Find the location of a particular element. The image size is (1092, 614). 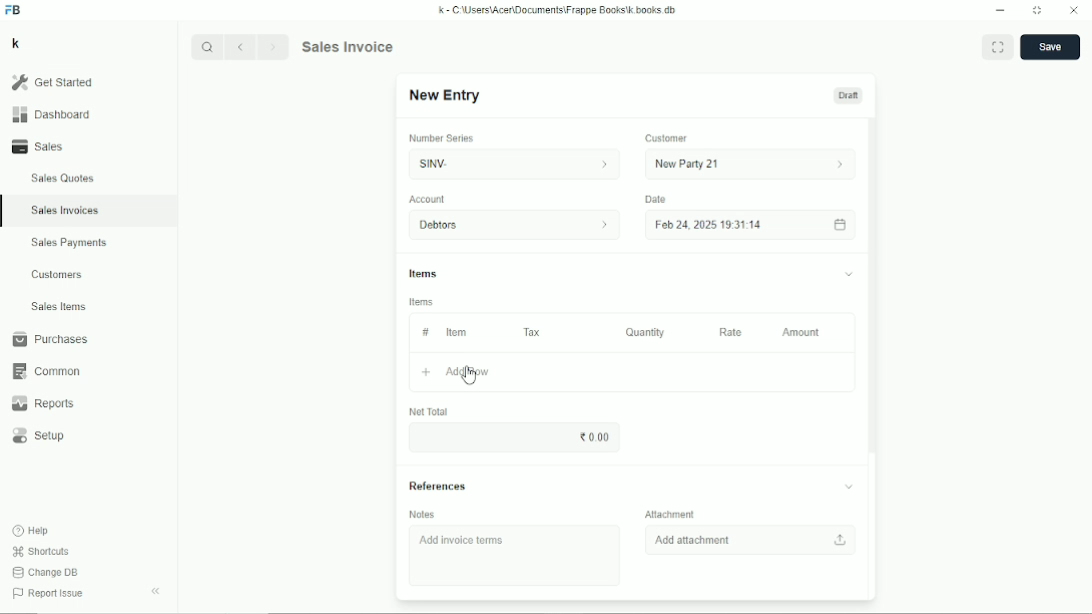

Toggle between form and full width is located at coordinates (998, 46).